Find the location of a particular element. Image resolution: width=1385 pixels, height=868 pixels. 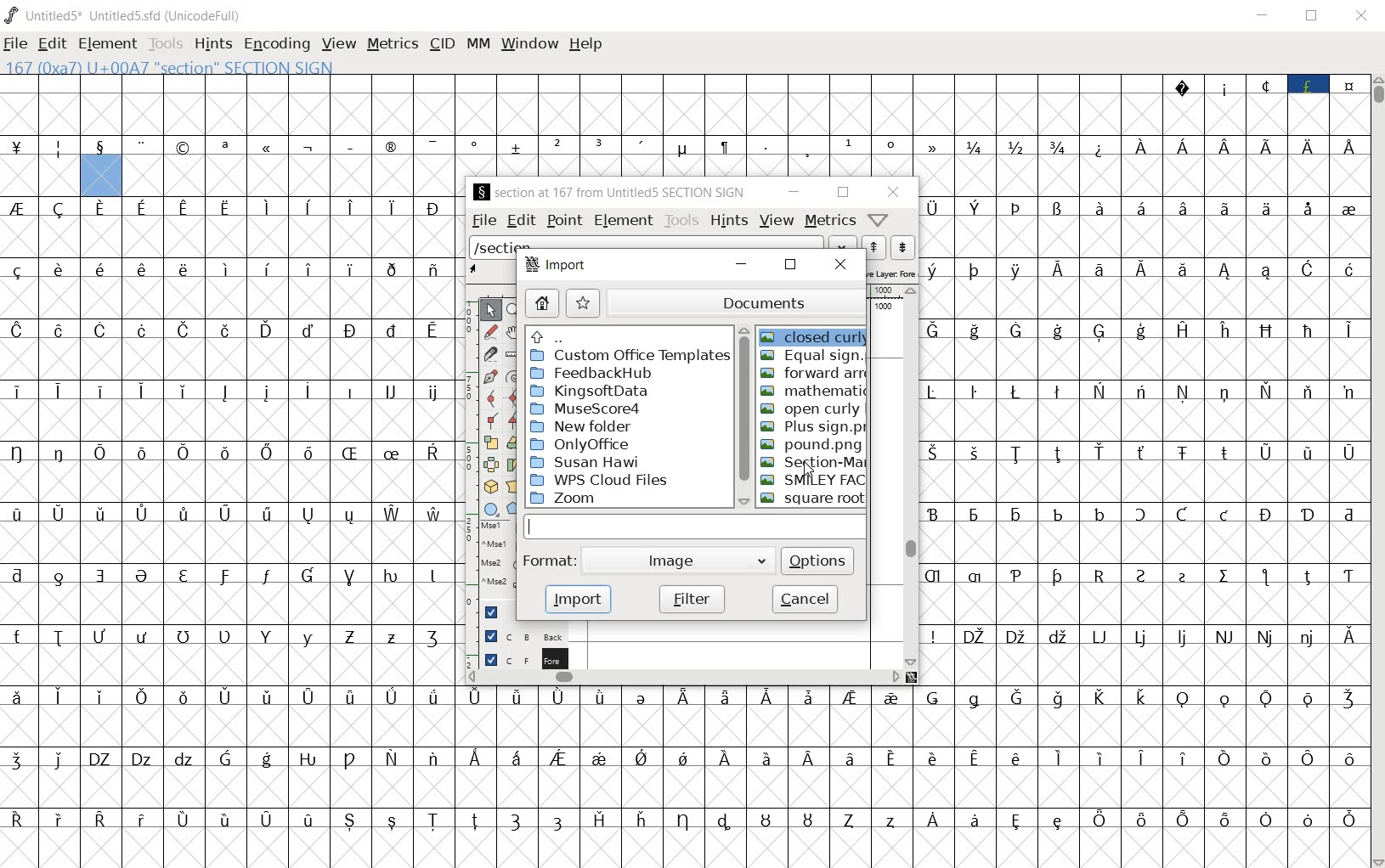

MATHEMATIC.. is located at coordinates (816, 392).